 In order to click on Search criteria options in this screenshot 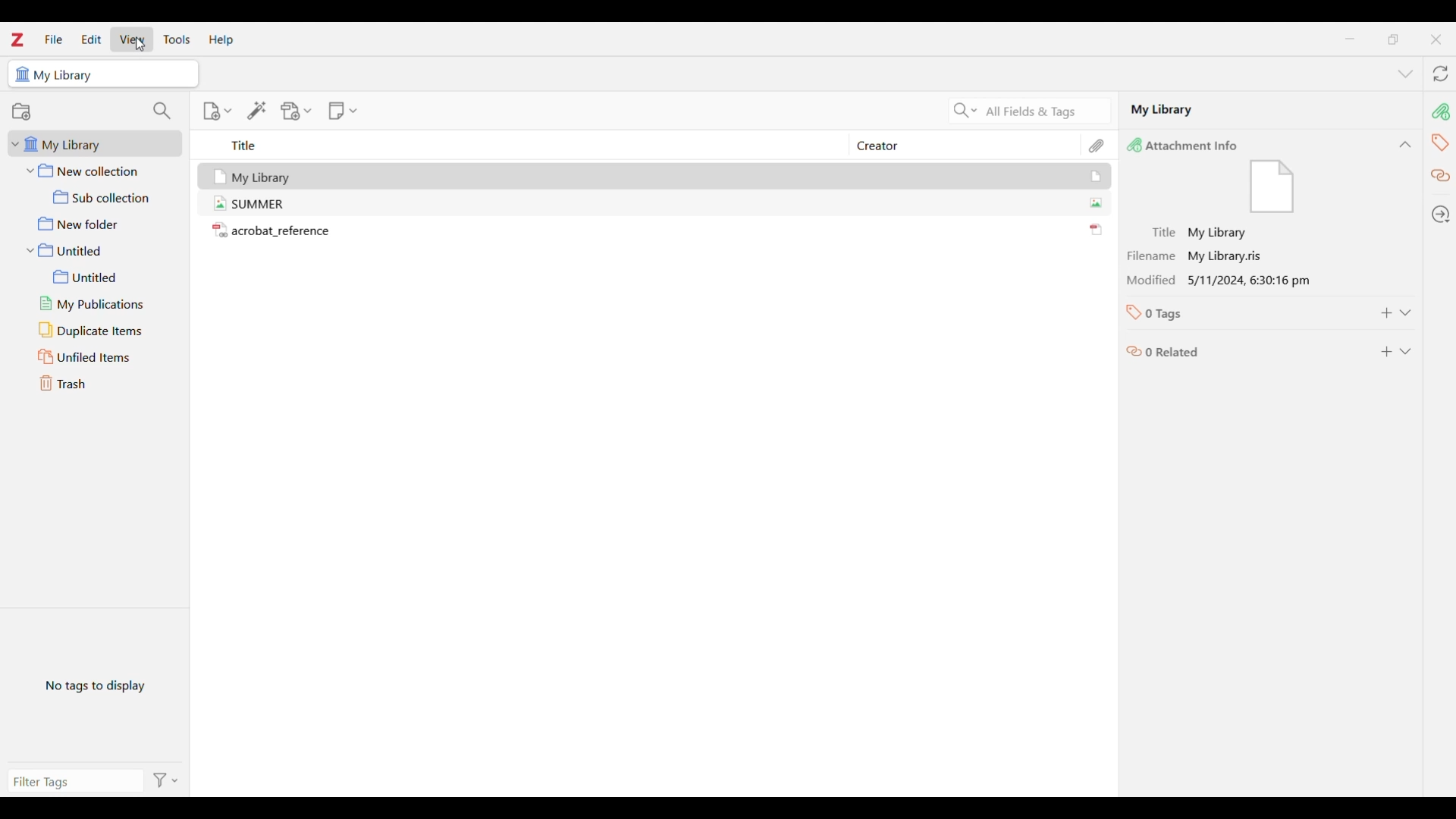, I will do `click(965, 111)`.